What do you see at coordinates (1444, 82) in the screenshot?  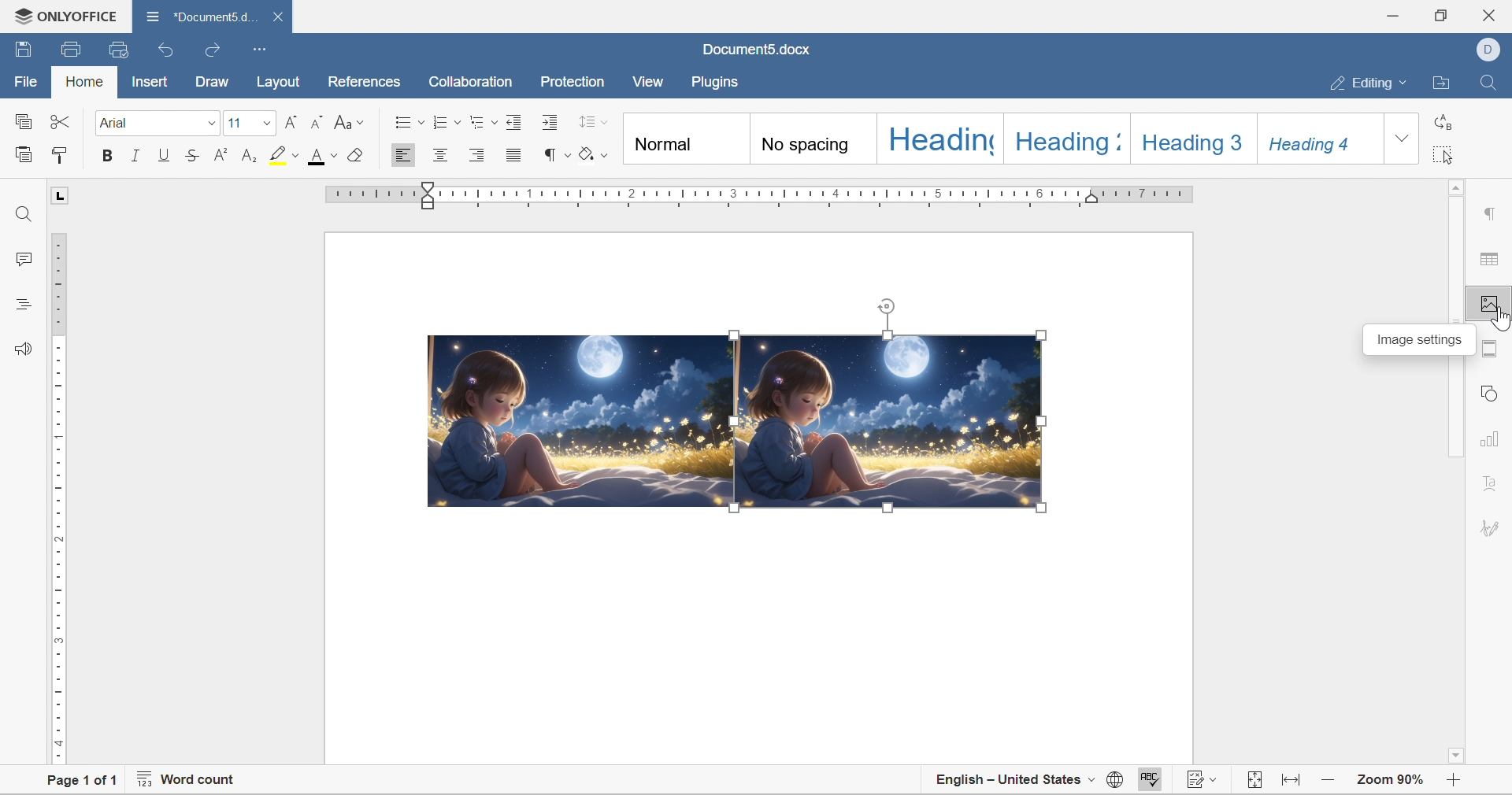 I see `open file location` at bounding box center [1444, 82].